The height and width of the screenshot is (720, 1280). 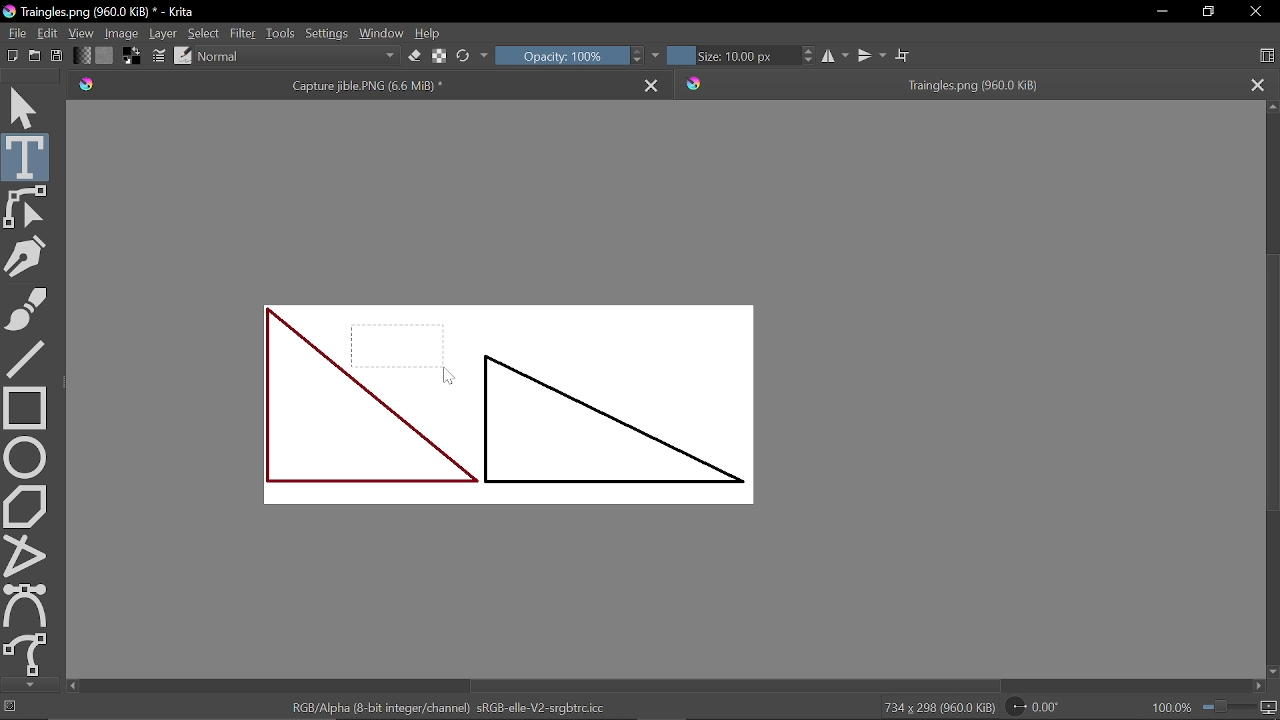 I want to click on Rotate, so click(x=1044, y=708).